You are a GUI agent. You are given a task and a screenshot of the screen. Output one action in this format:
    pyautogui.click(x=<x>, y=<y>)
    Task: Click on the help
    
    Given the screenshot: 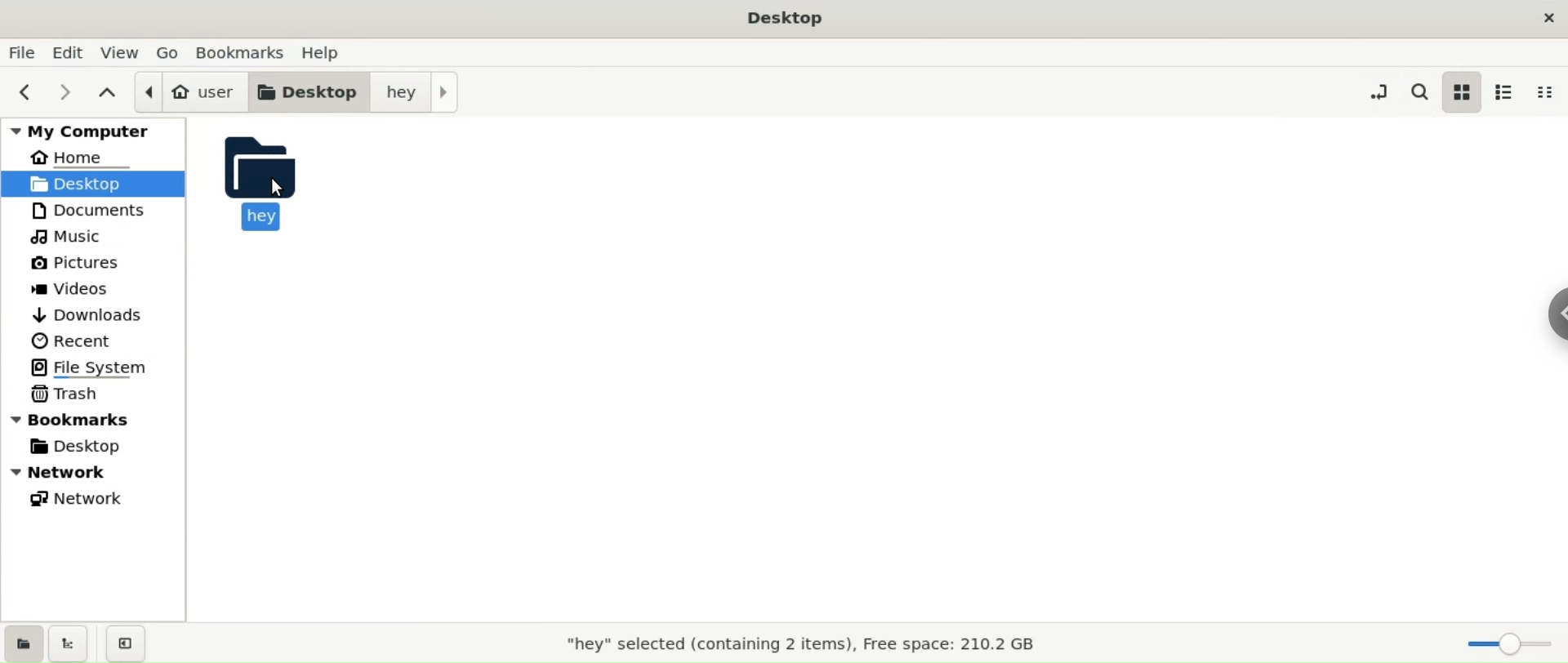 What is the action you would take?
    pyautogui.click(x=326, y=52)
    